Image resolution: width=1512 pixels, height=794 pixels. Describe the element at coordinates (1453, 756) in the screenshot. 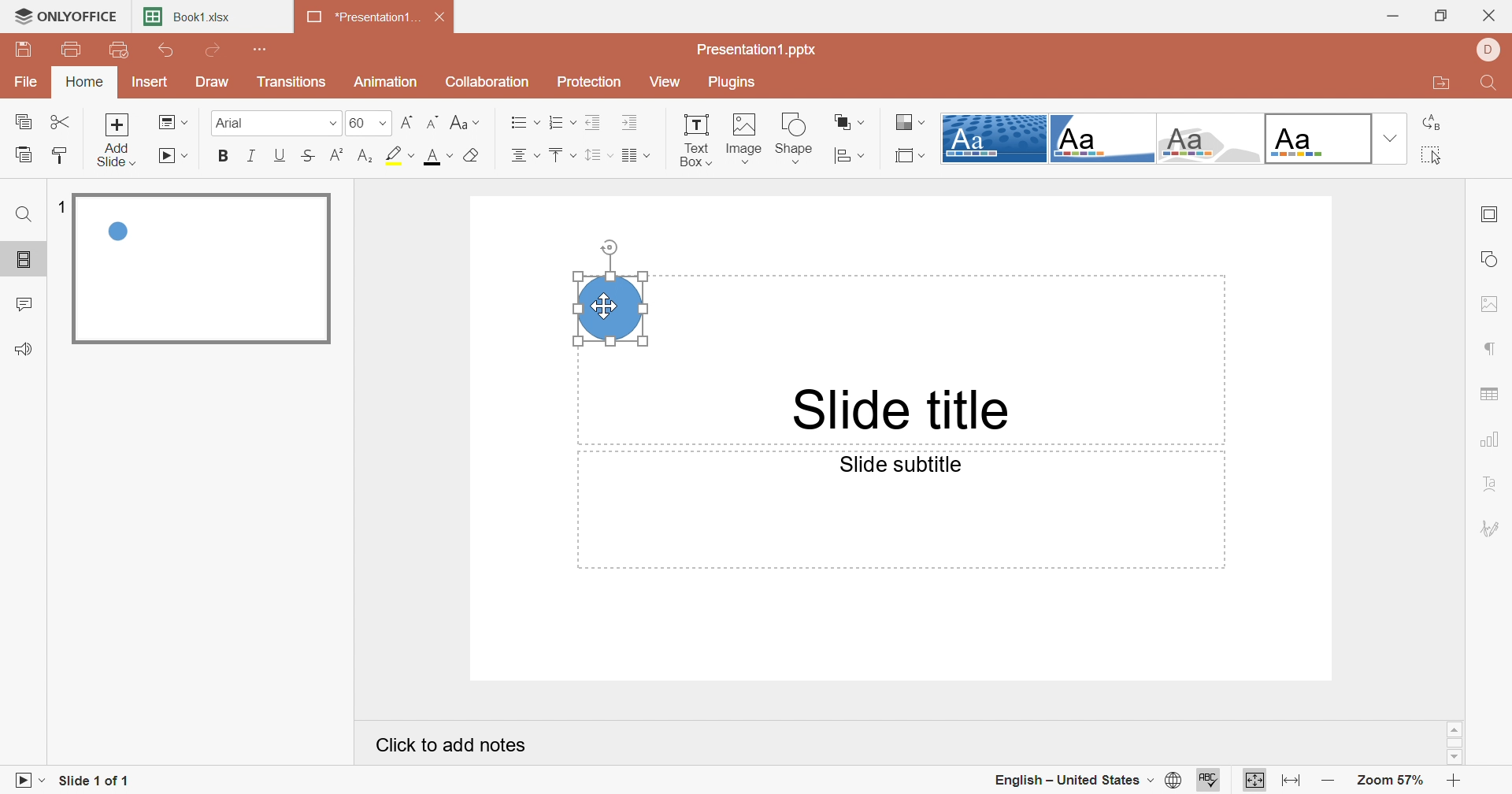

I see `Scroll down` at that location.